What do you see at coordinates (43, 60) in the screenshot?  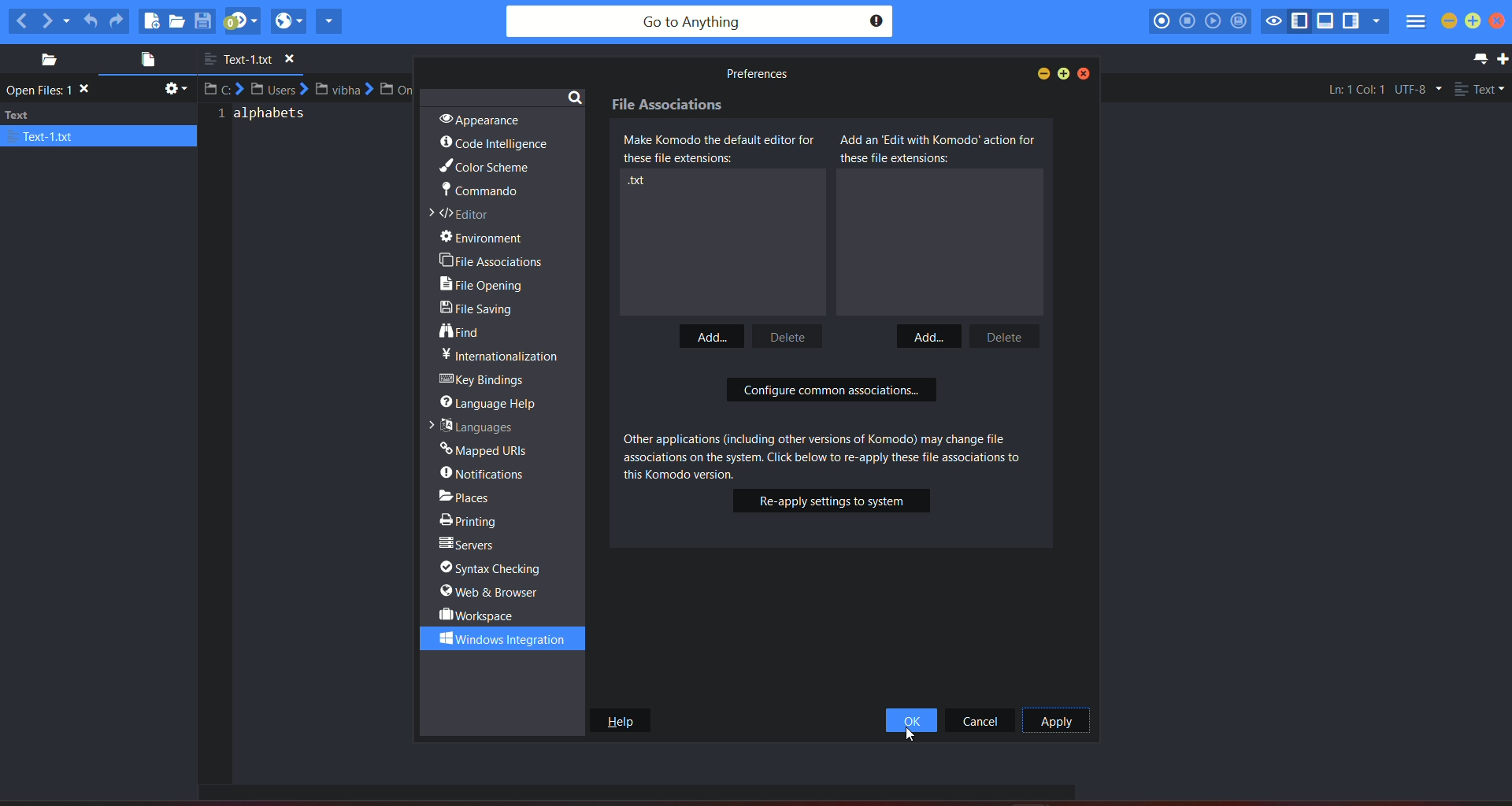 I see `places` at bounding box center [43, 60].